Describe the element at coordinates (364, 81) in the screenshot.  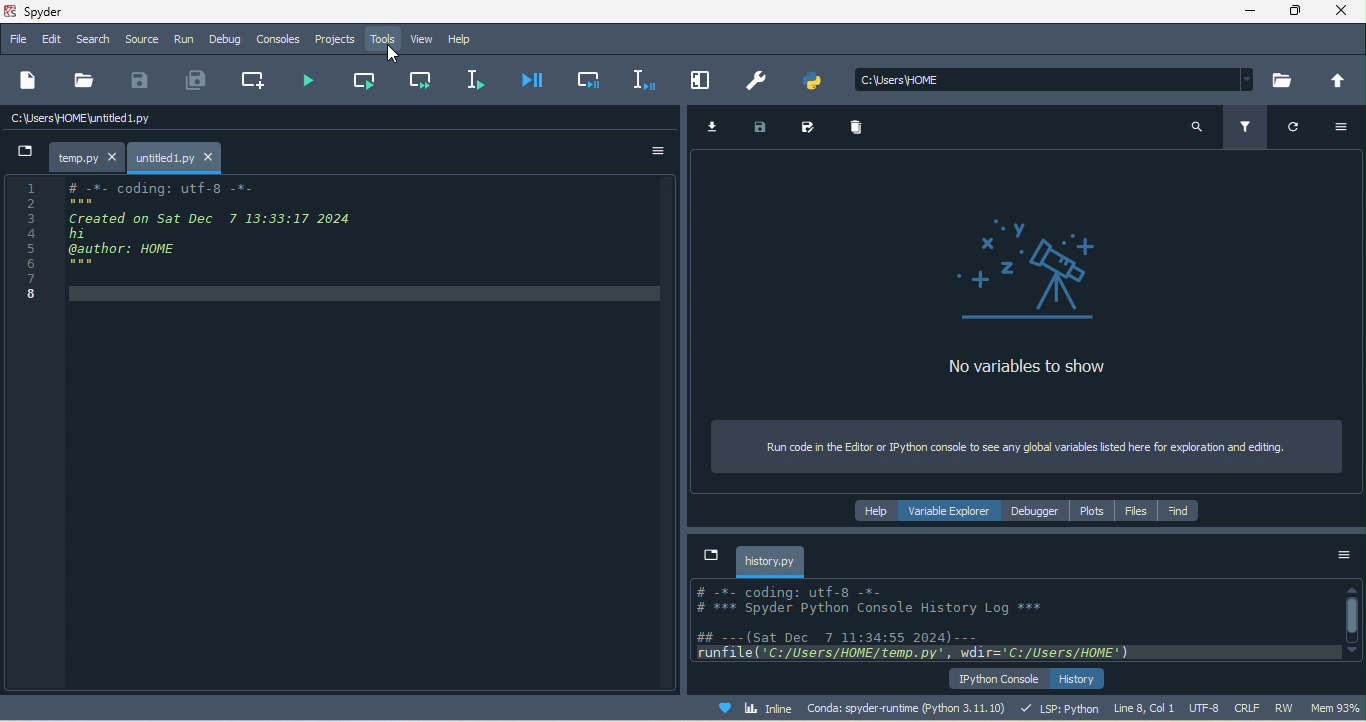
I see `run current cell` at that location.